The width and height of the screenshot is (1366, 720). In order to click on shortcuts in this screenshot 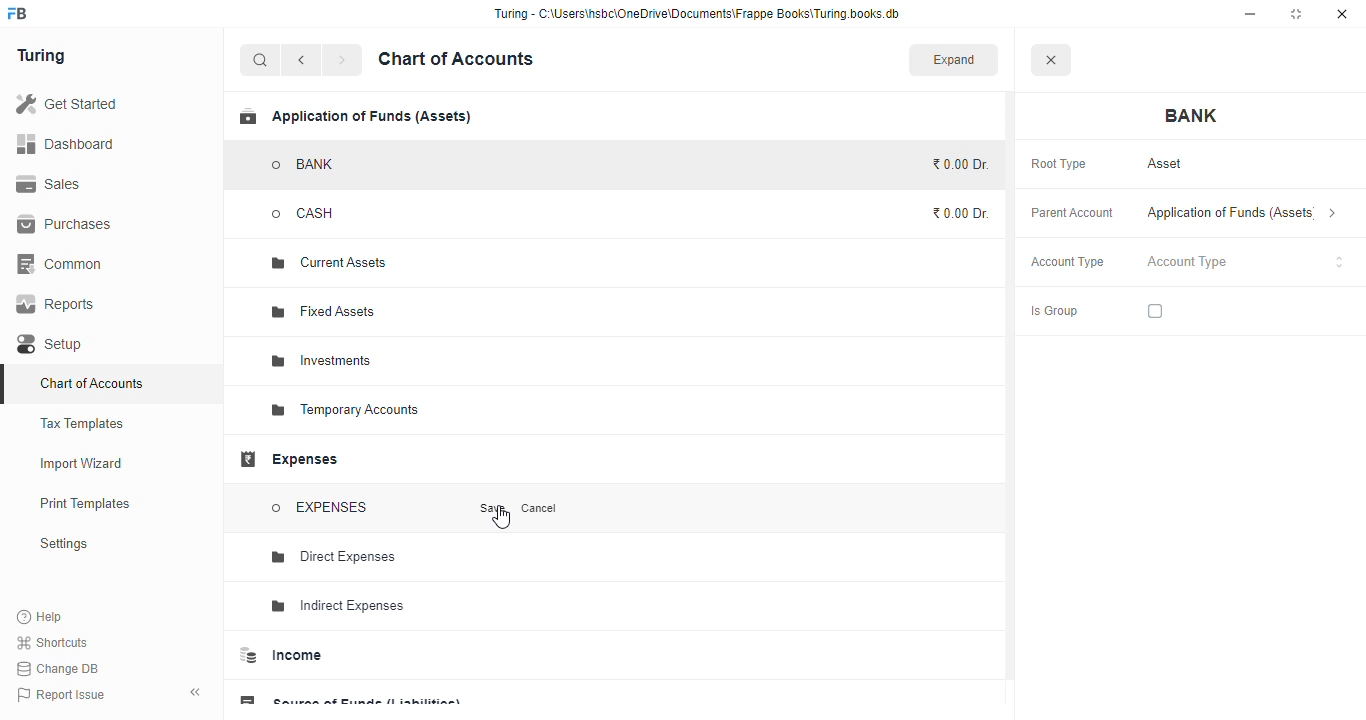, I will do `click(53, 642)`.